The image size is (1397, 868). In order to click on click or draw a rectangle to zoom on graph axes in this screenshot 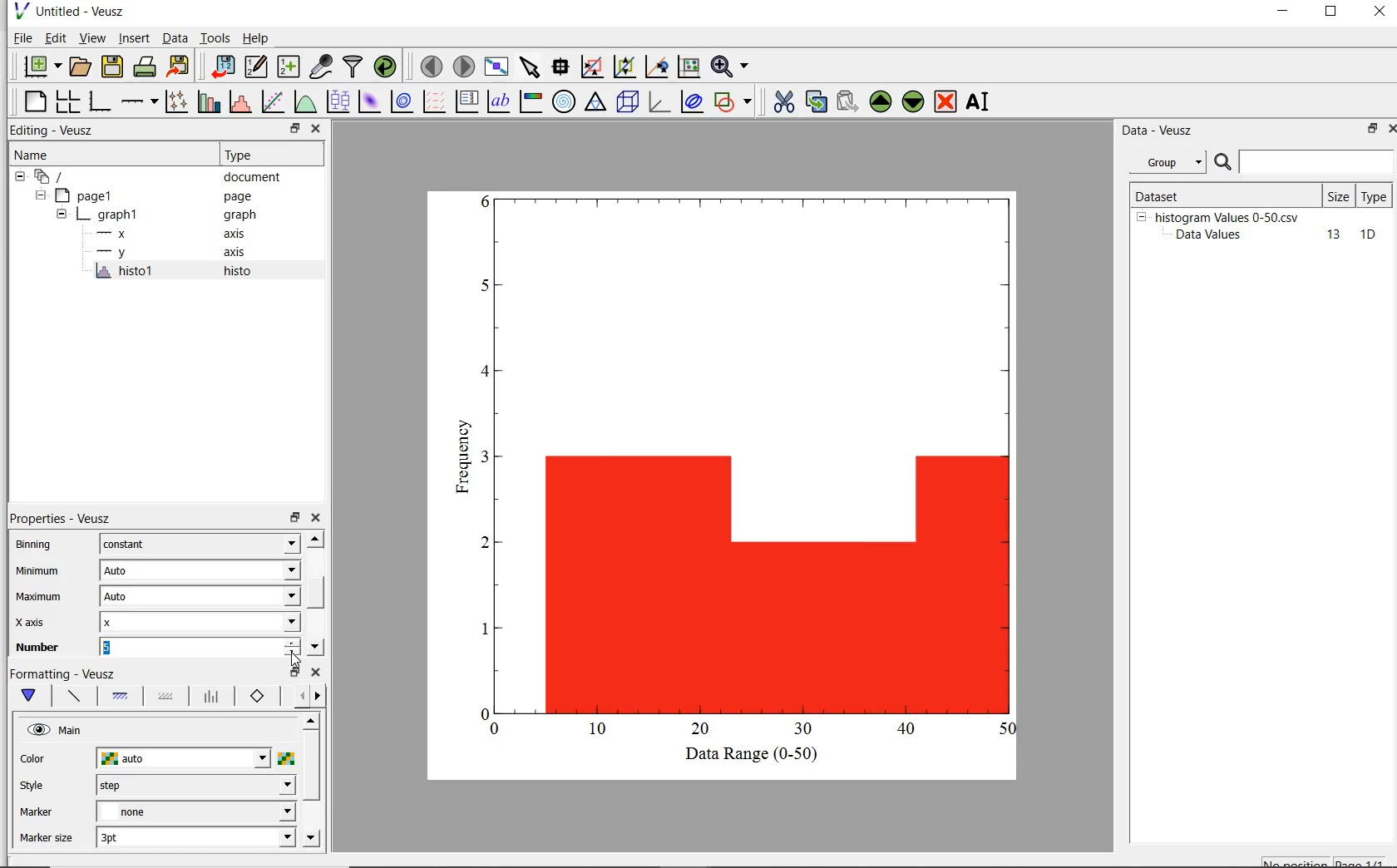, I will do `click(624, 67)`.